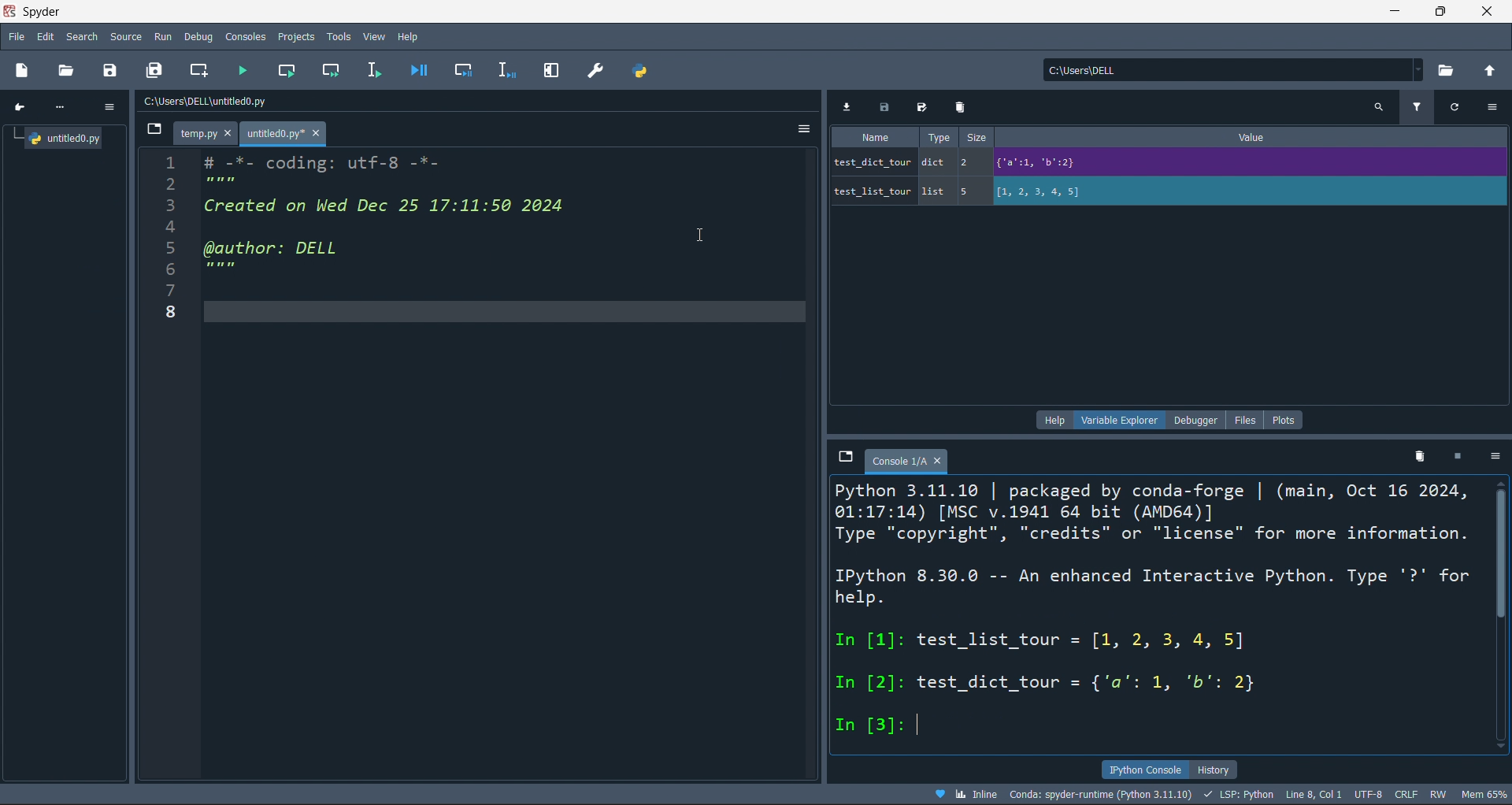 The height and width of the screenshot is (805, 1512). Describe the element at coordinates (244, 69) in the screenshot. I see `run file` at that location.